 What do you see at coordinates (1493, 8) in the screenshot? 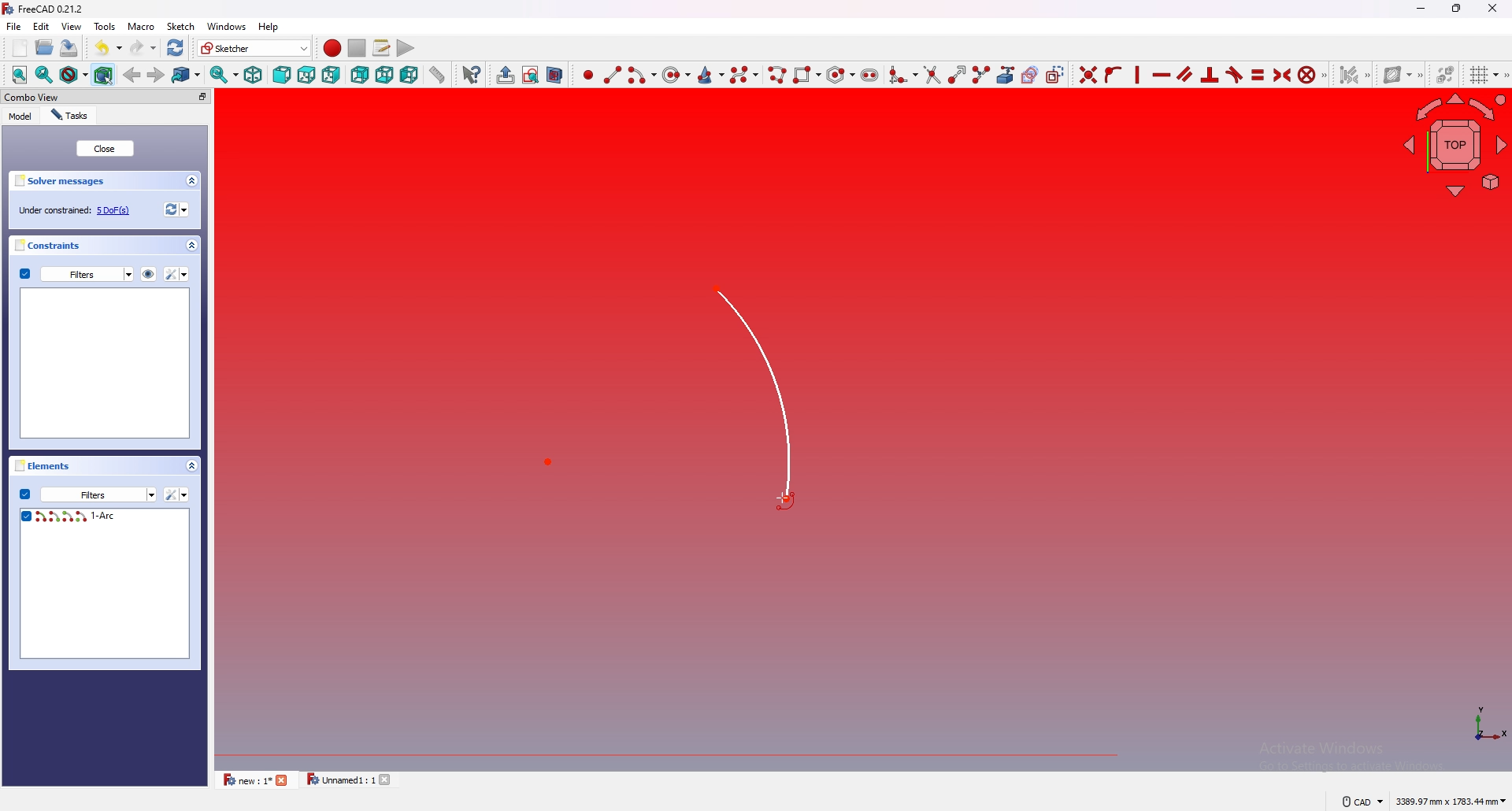
I see `close` at bounding box center [1493, 8].